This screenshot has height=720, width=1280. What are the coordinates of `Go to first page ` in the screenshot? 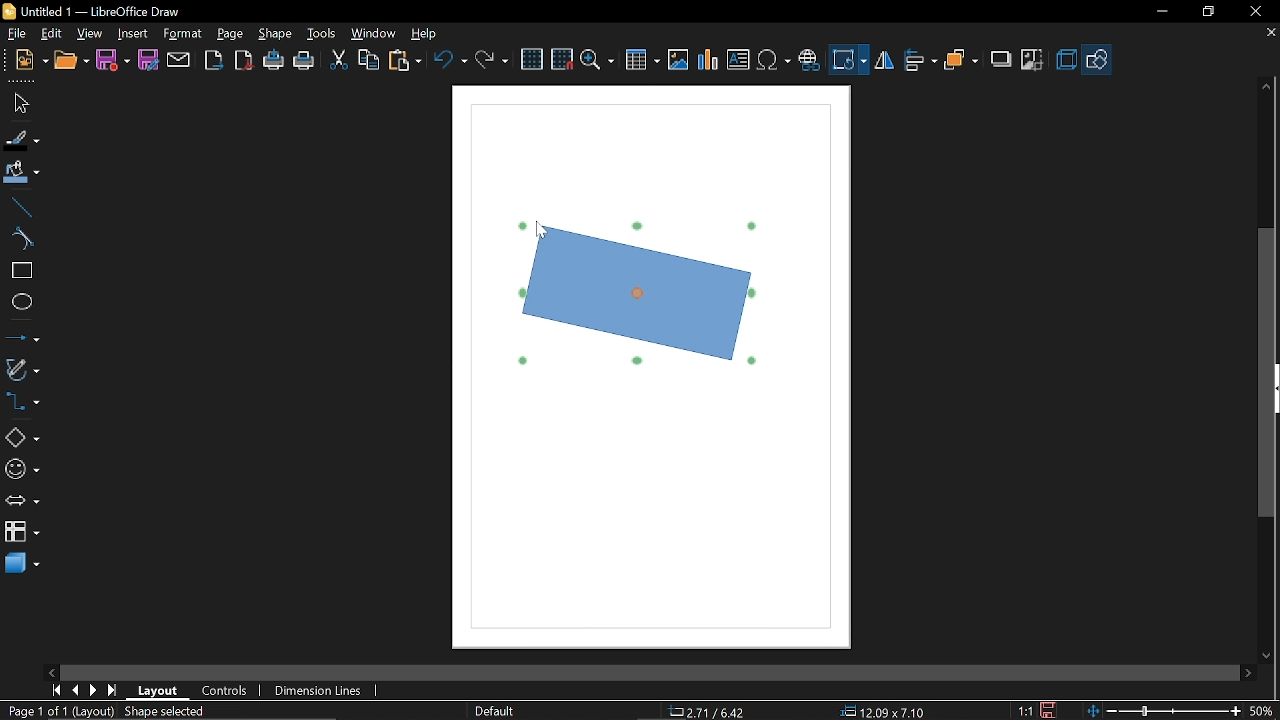 It's located at (56, 690).